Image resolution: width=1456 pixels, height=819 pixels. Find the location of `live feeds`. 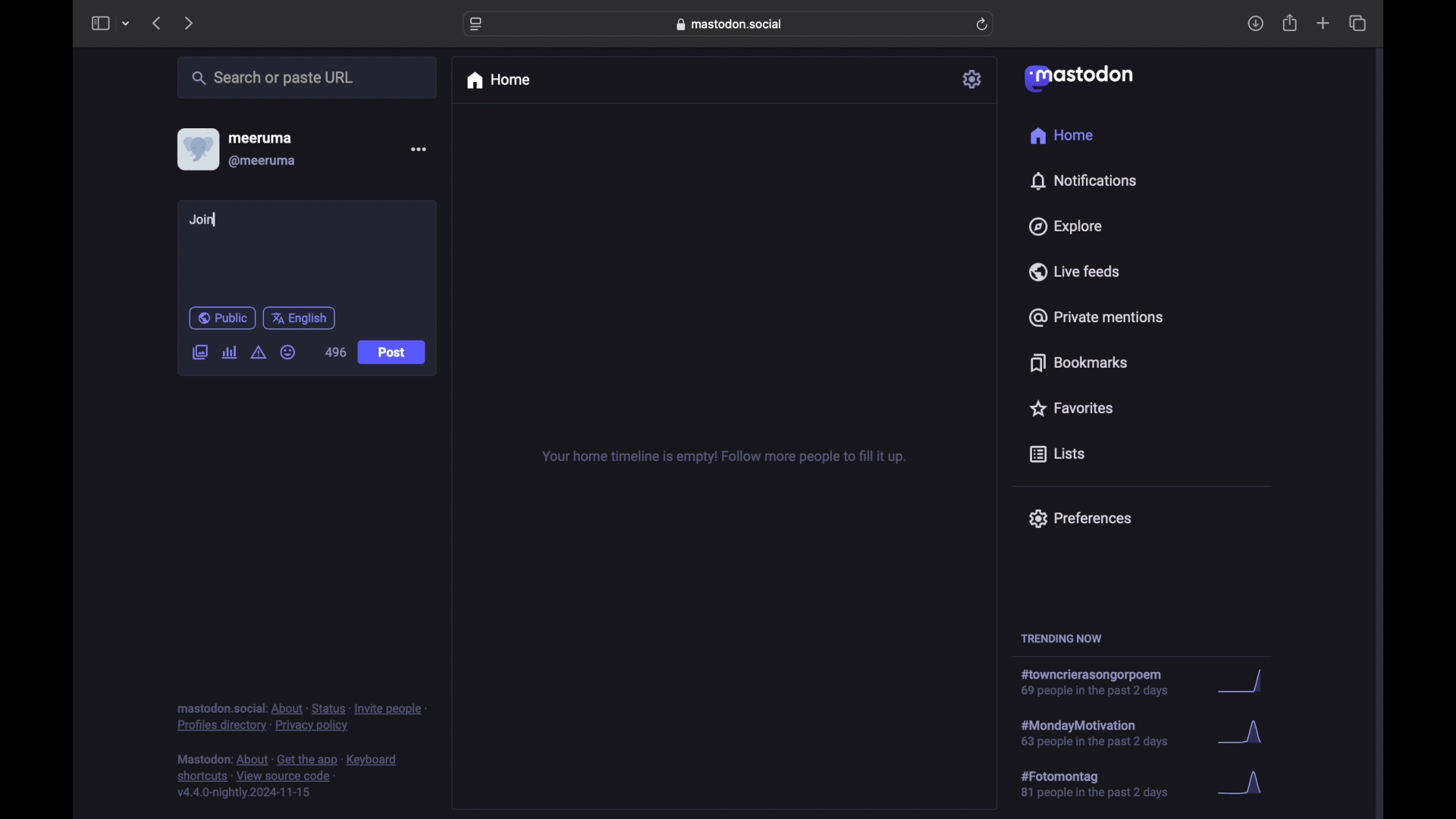

live feeds is located at coordinates (1075, 271).